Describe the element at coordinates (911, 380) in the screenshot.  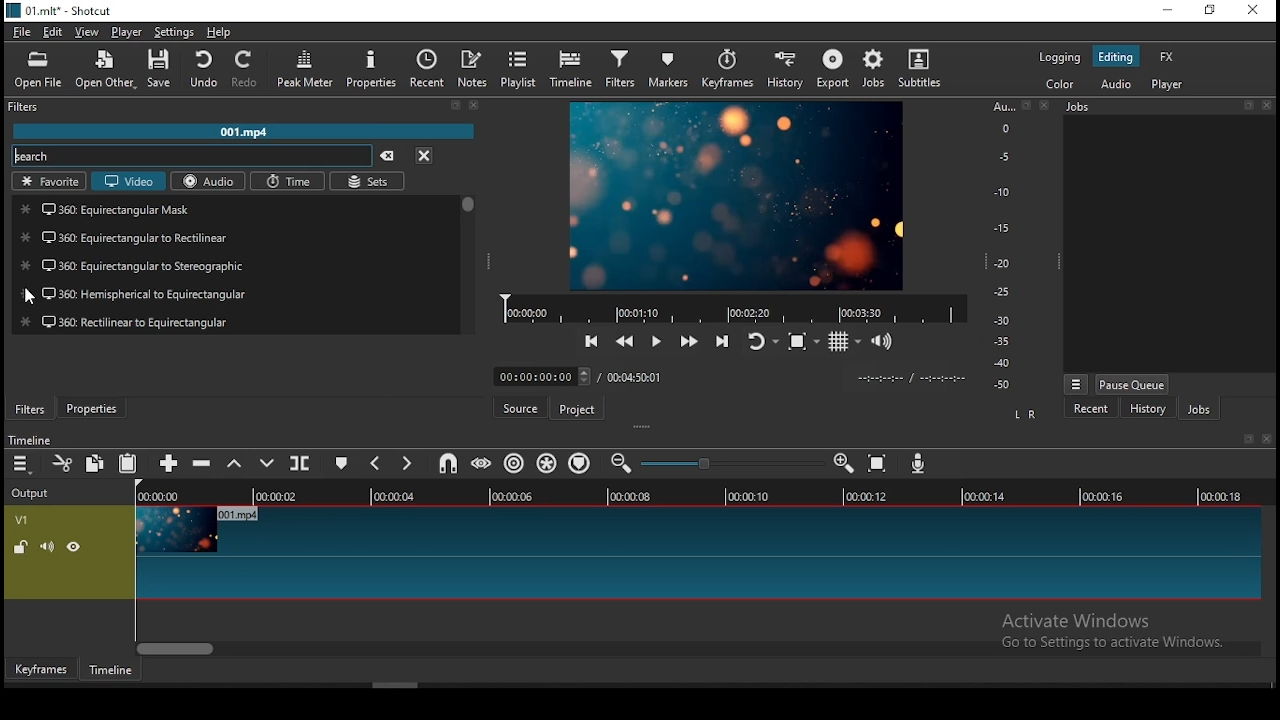
I see `timestamp` at that location.